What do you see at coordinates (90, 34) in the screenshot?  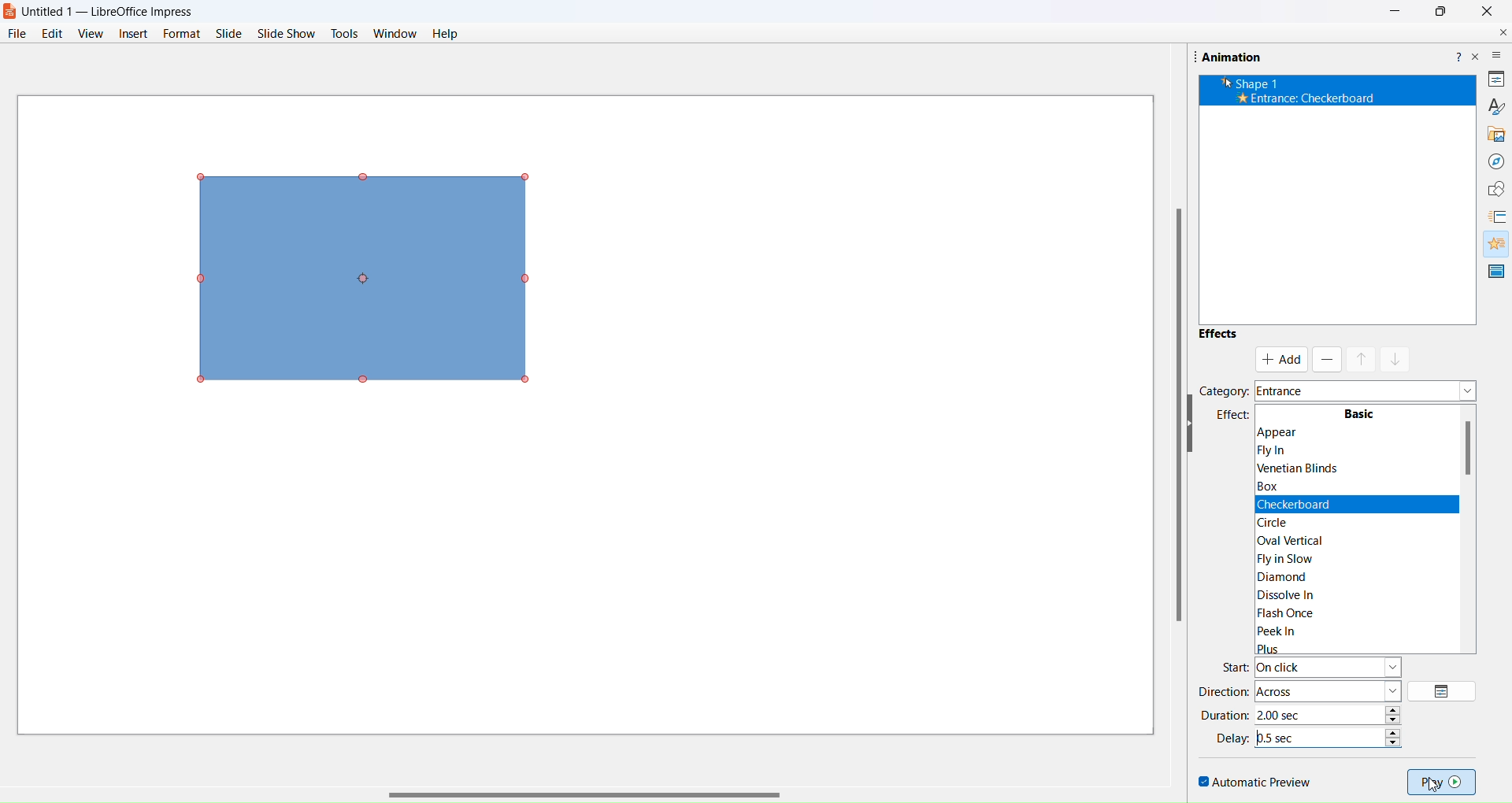 I see `view` at bounding box center [90, 34].